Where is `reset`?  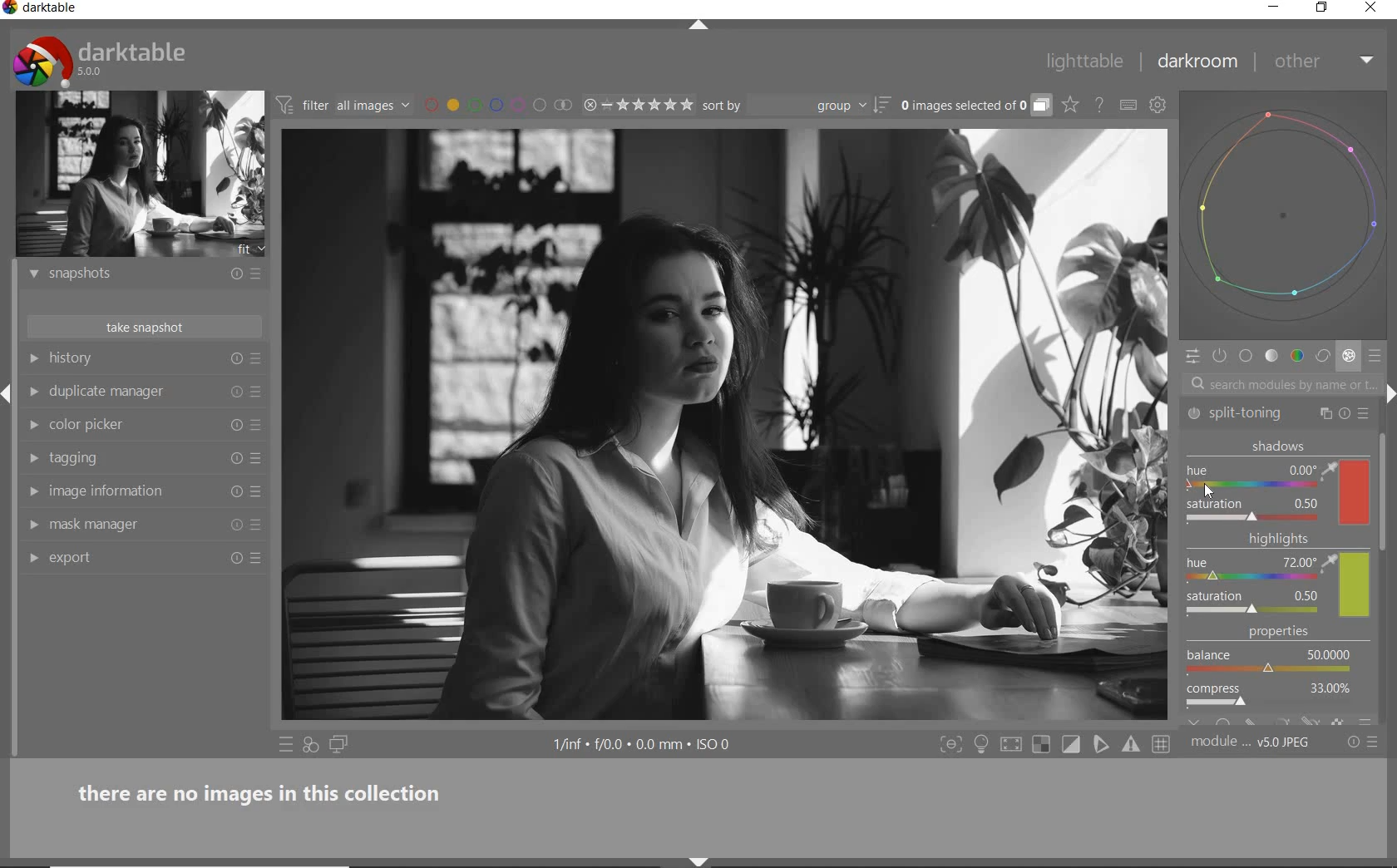
reset is located at coordinates (234, 560).